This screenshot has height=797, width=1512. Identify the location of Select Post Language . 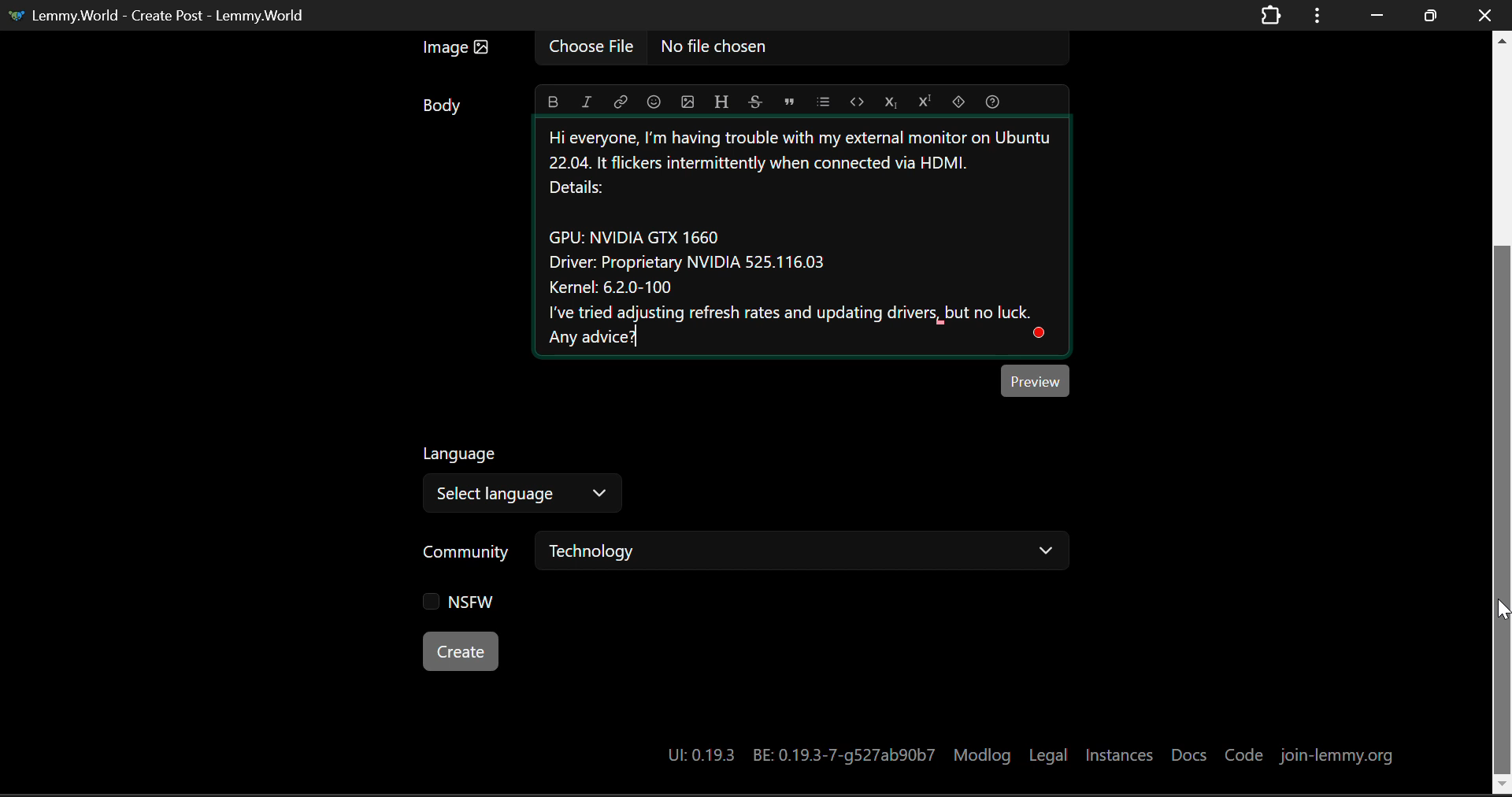
(519, 482).